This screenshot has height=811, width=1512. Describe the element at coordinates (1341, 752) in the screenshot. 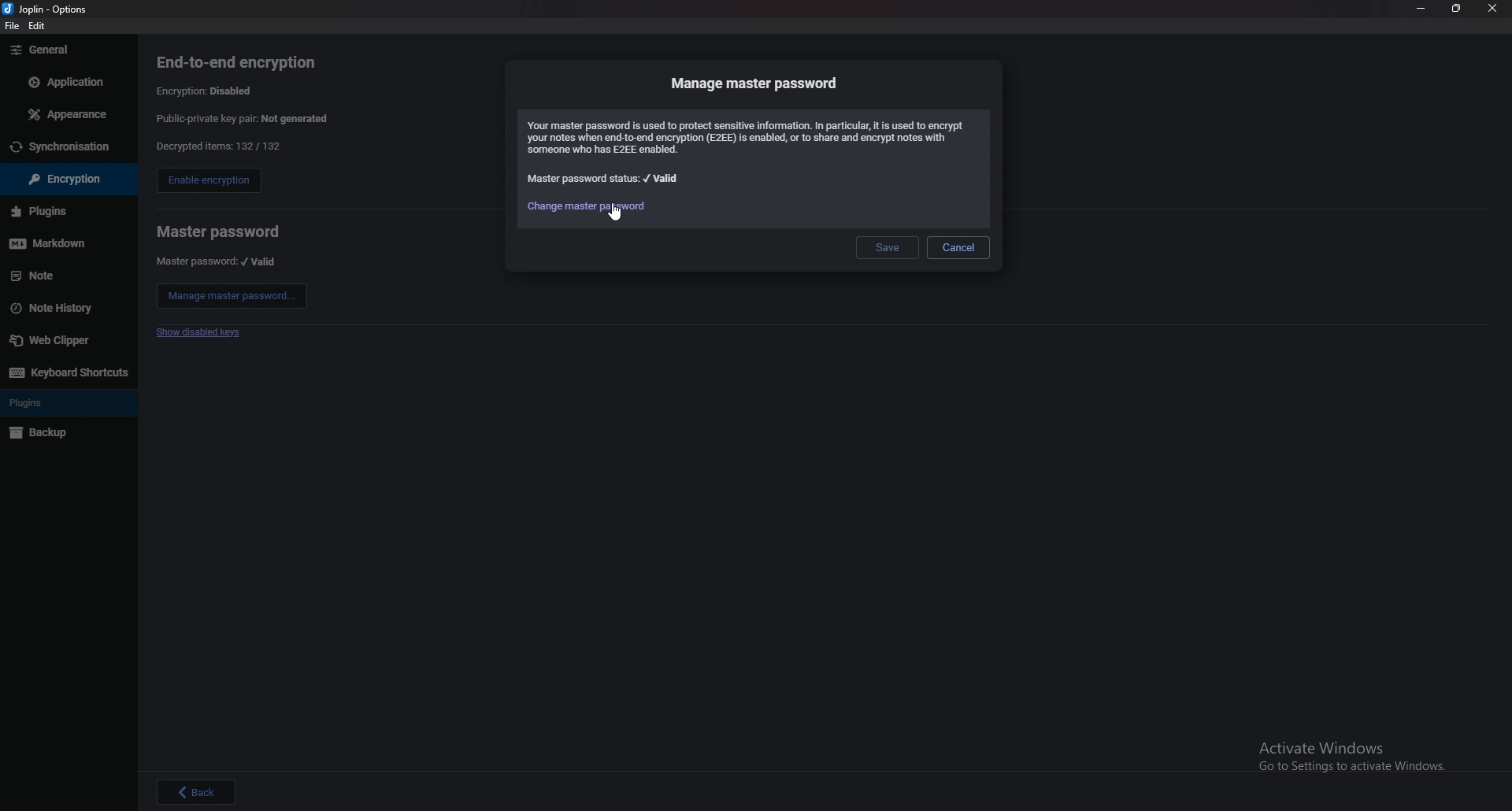

I see `Activate Windows` at that location.